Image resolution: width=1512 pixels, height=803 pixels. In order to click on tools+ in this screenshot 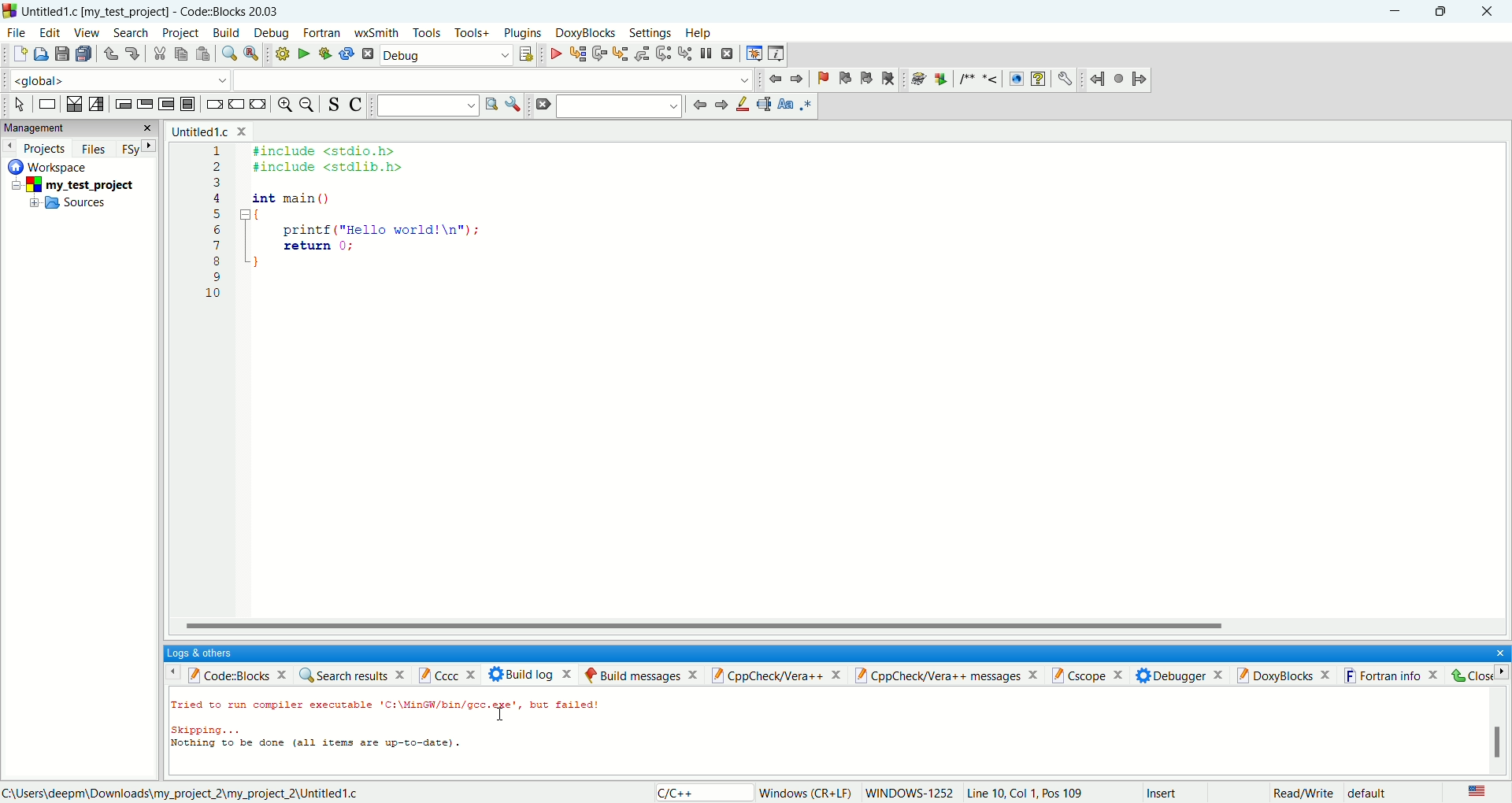, I will do `click(470, 32)`.